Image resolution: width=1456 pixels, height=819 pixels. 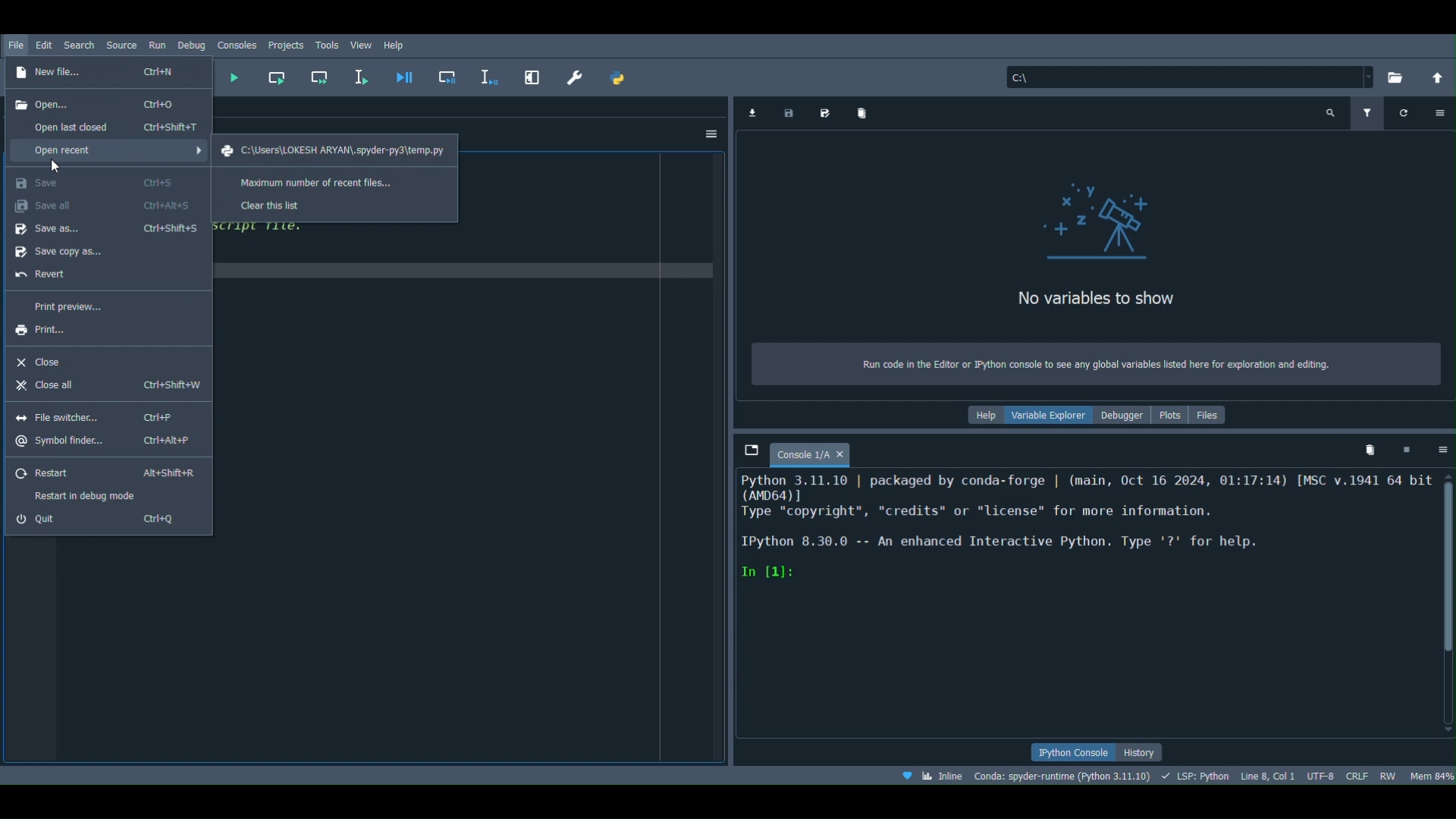 What do you see at coordinates (1088, 296) in the screenshot?
I see `No variables to show` at bounding box center [1088, 296].